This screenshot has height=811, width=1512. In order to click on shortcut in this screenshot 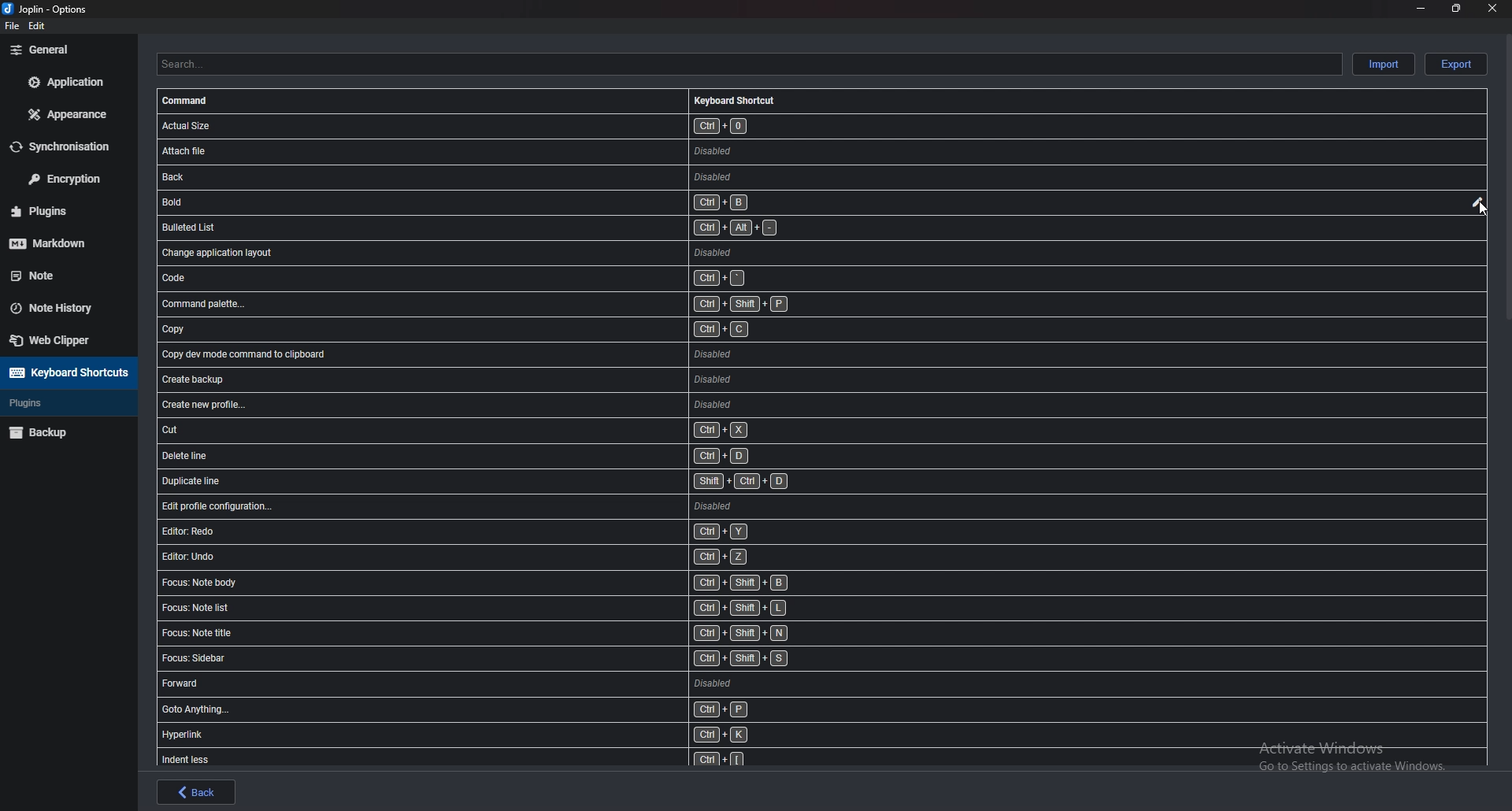, I will do `click(520, 378)`.